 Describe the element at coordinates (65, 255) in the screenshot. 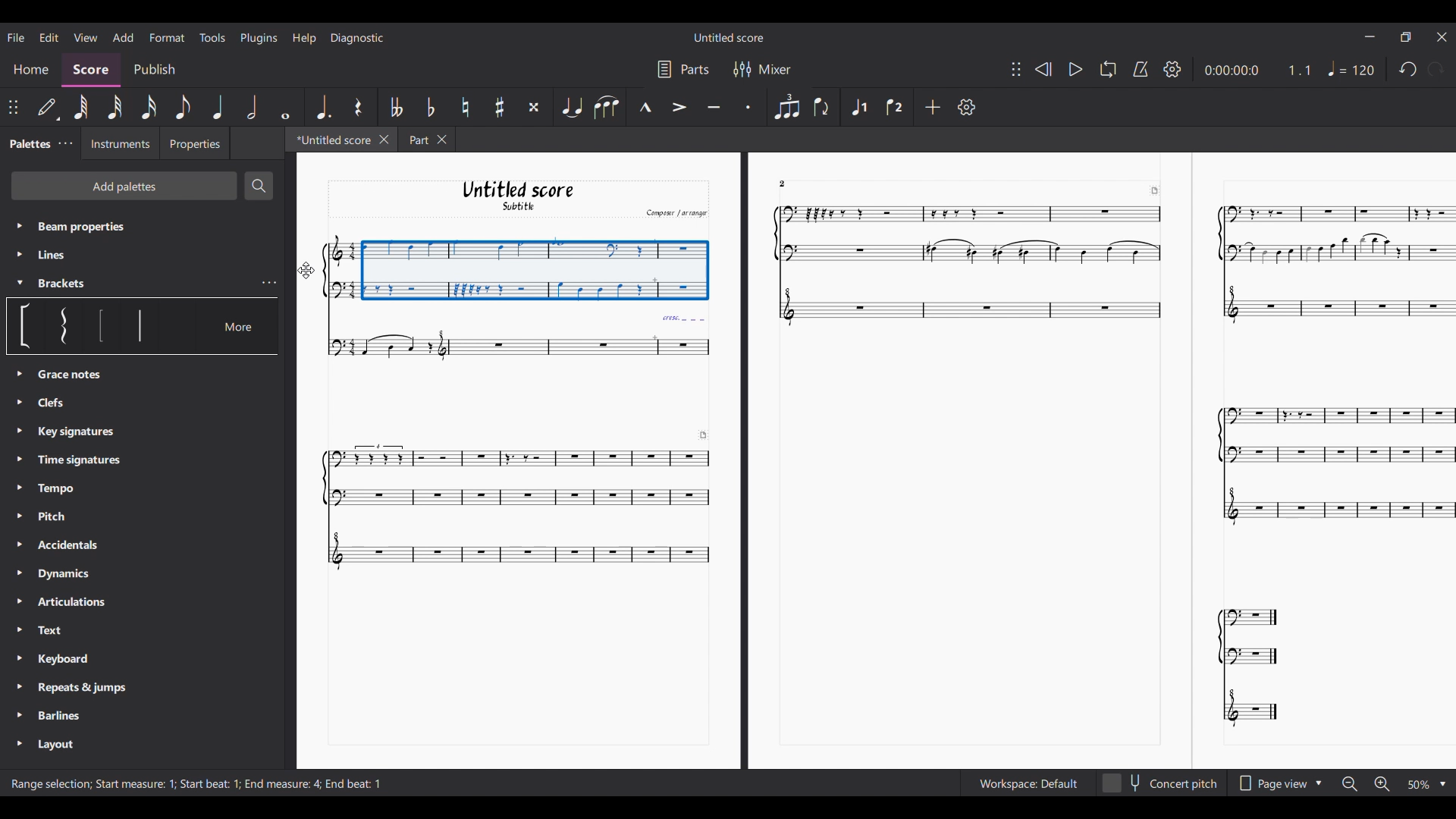

I see `Line` at that location.